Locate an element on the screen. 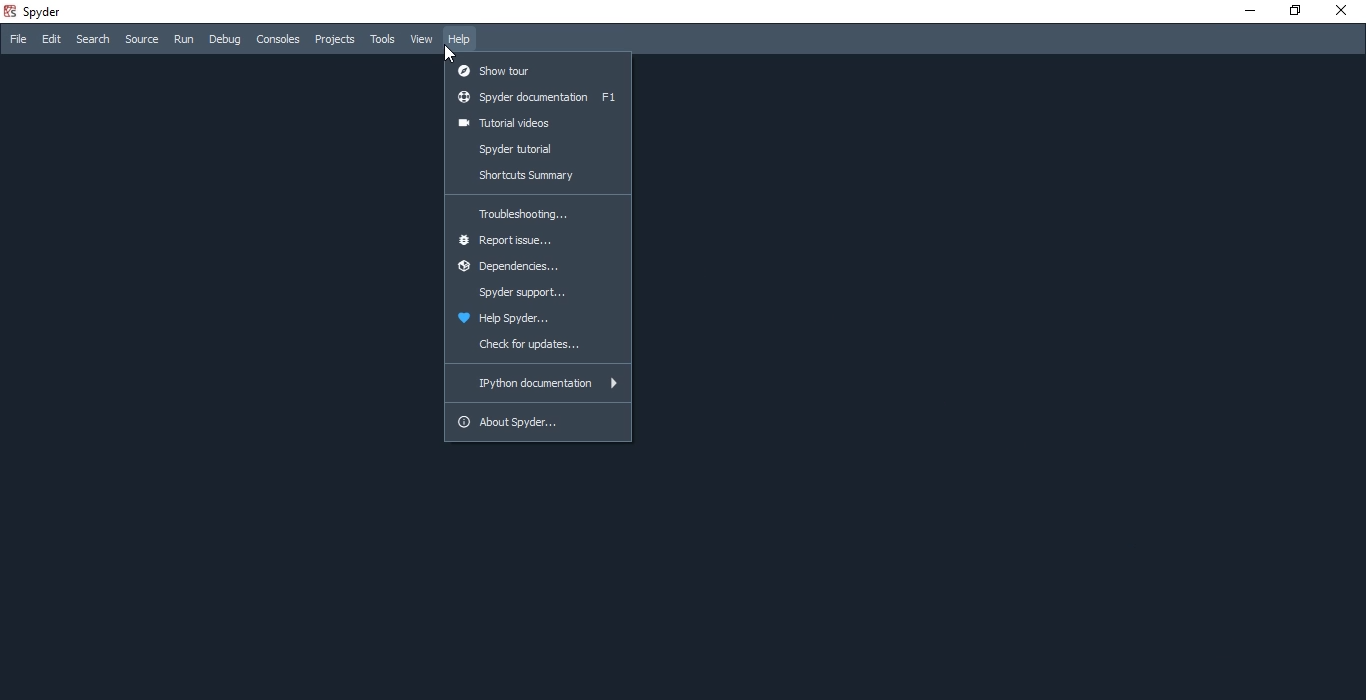 Image resolution: width=1366 pixels, height=700 pixels. minimise is located at coordinates (1245, 10).